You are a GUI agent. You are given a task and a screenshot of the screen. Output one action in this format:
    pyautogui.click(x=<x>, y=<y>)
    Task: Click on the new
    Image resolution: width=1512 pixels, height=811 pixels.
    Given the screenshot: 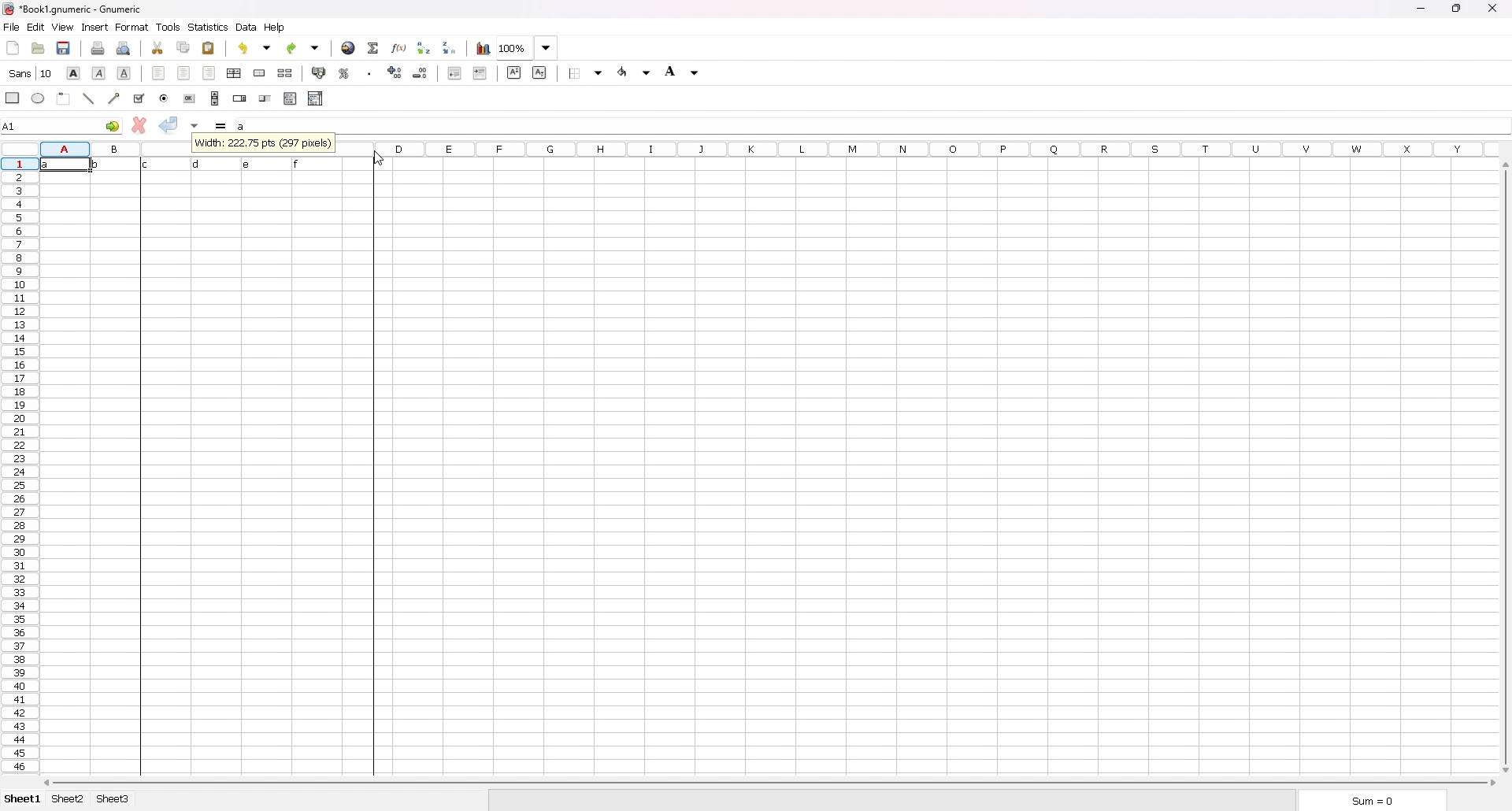 What is the action you would take?
    pyautogui.click(x=13, y=47)
    